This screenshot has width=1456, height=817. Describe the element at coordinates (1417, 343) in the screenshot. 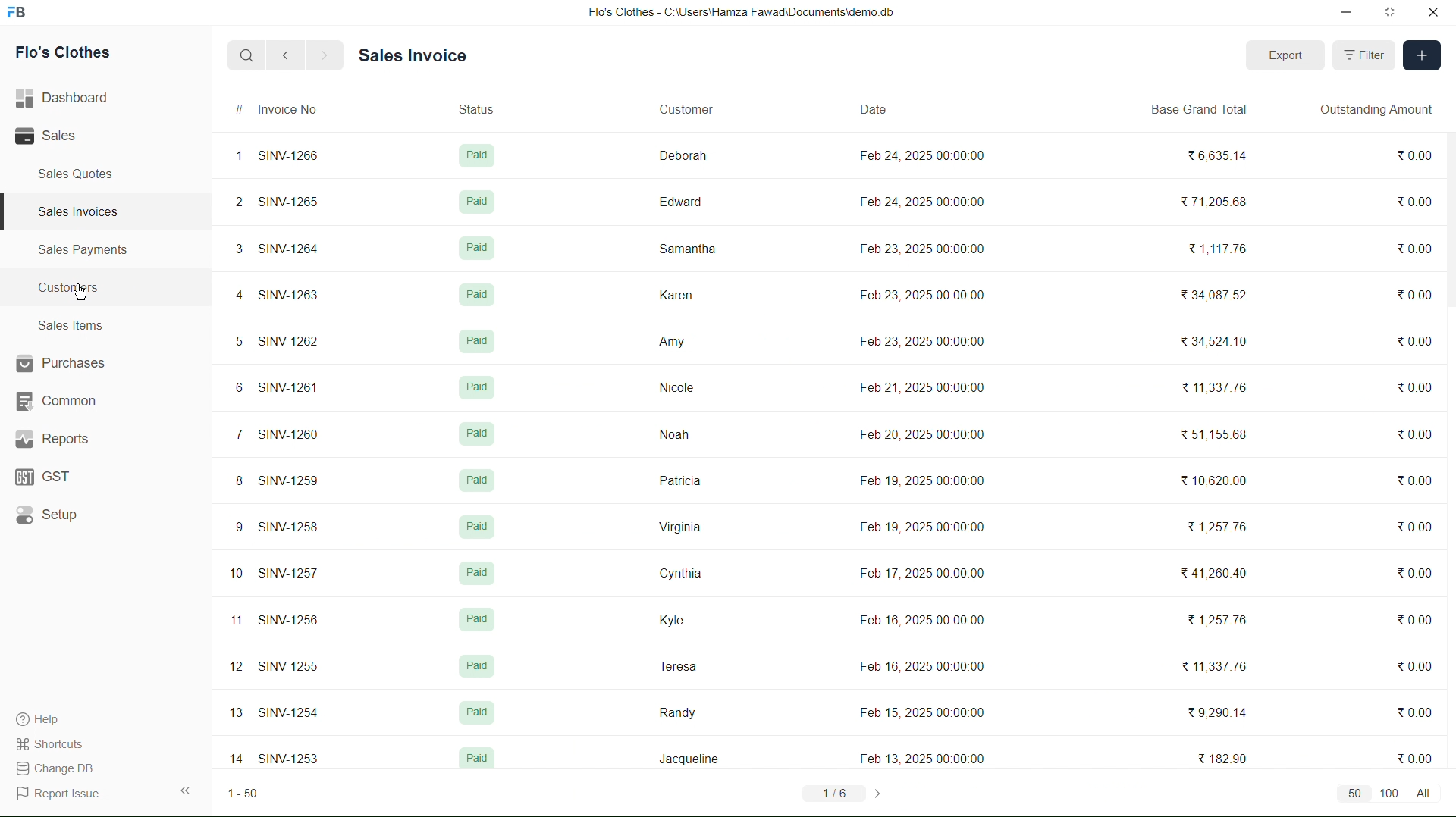

I see `0.00` at that location.